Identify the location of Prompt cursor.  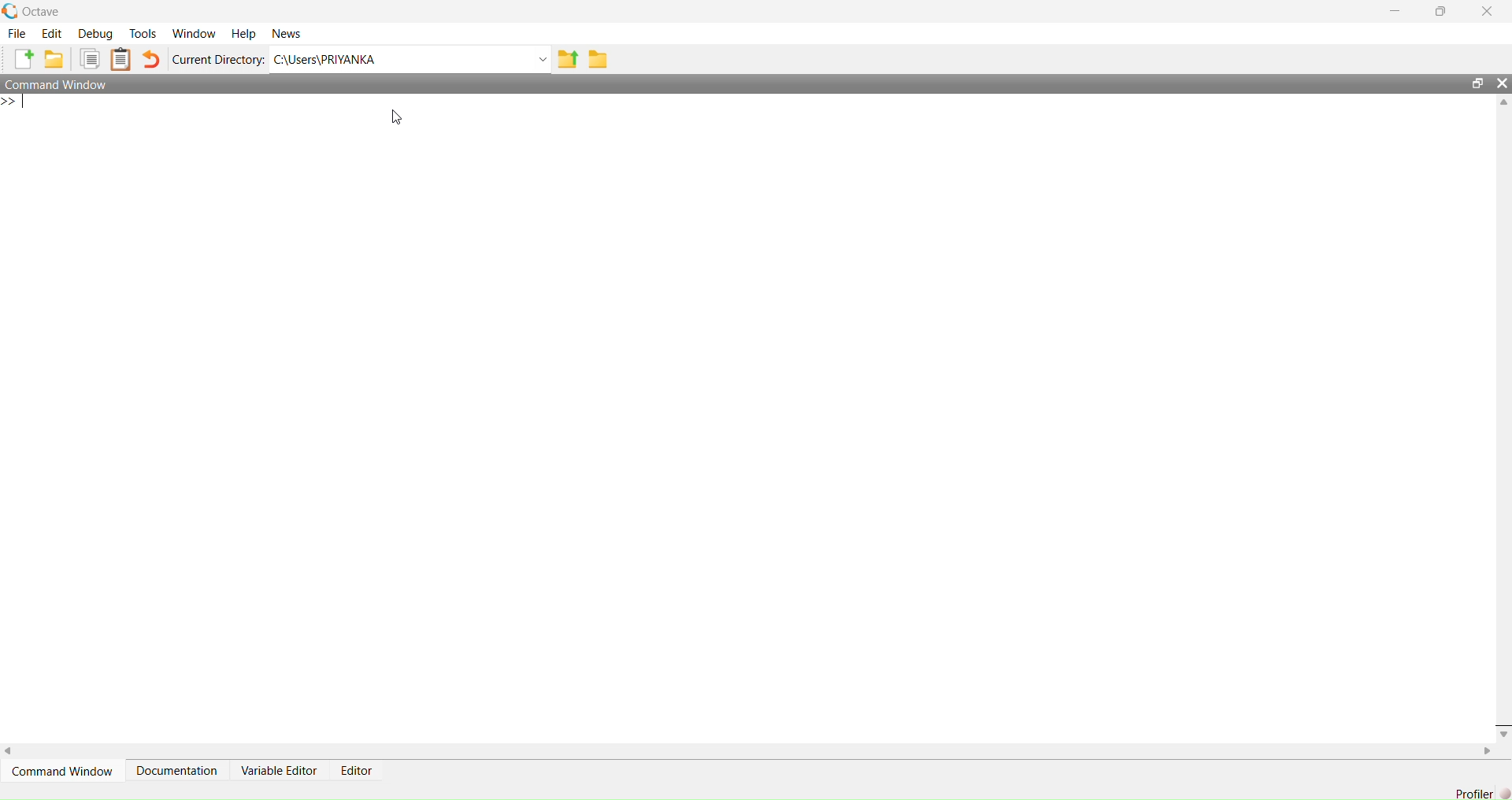
(18, 103).